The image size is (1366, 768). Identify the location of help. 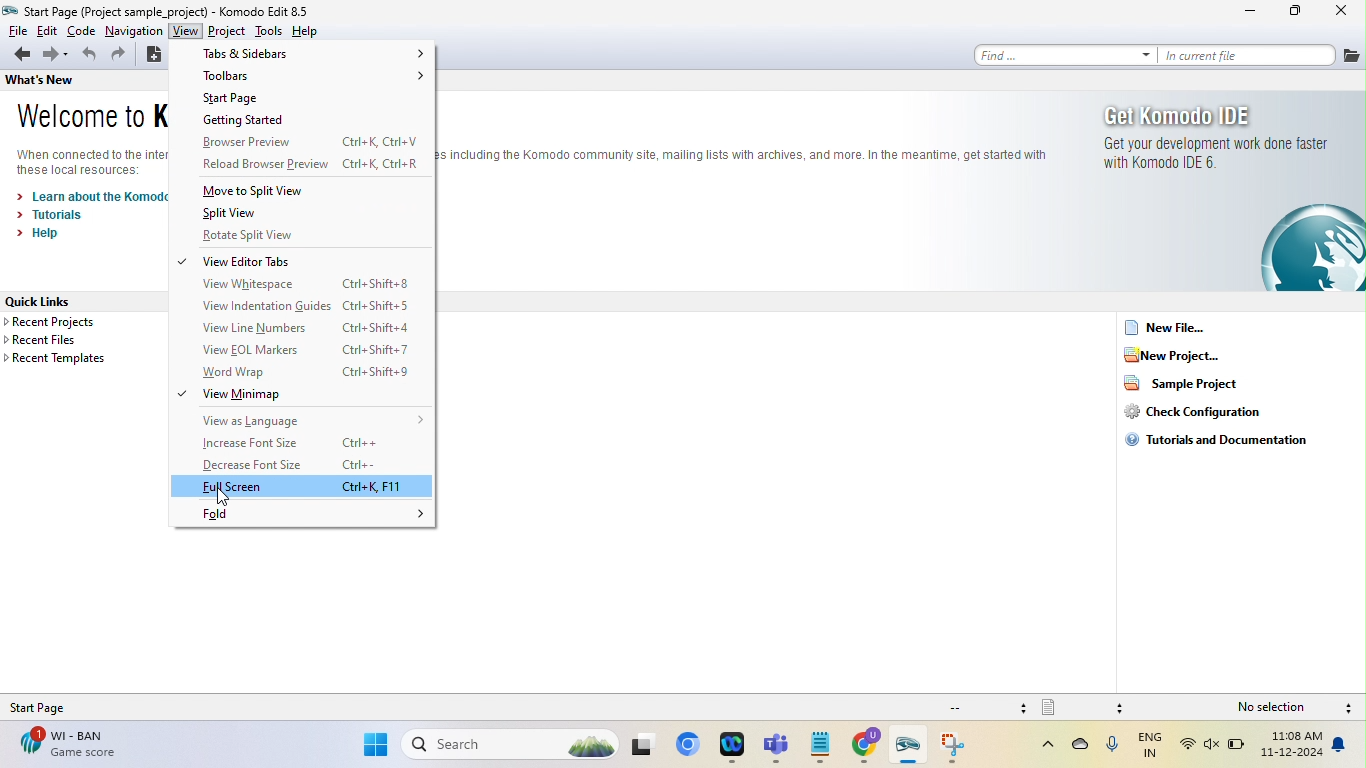
(312, 31).